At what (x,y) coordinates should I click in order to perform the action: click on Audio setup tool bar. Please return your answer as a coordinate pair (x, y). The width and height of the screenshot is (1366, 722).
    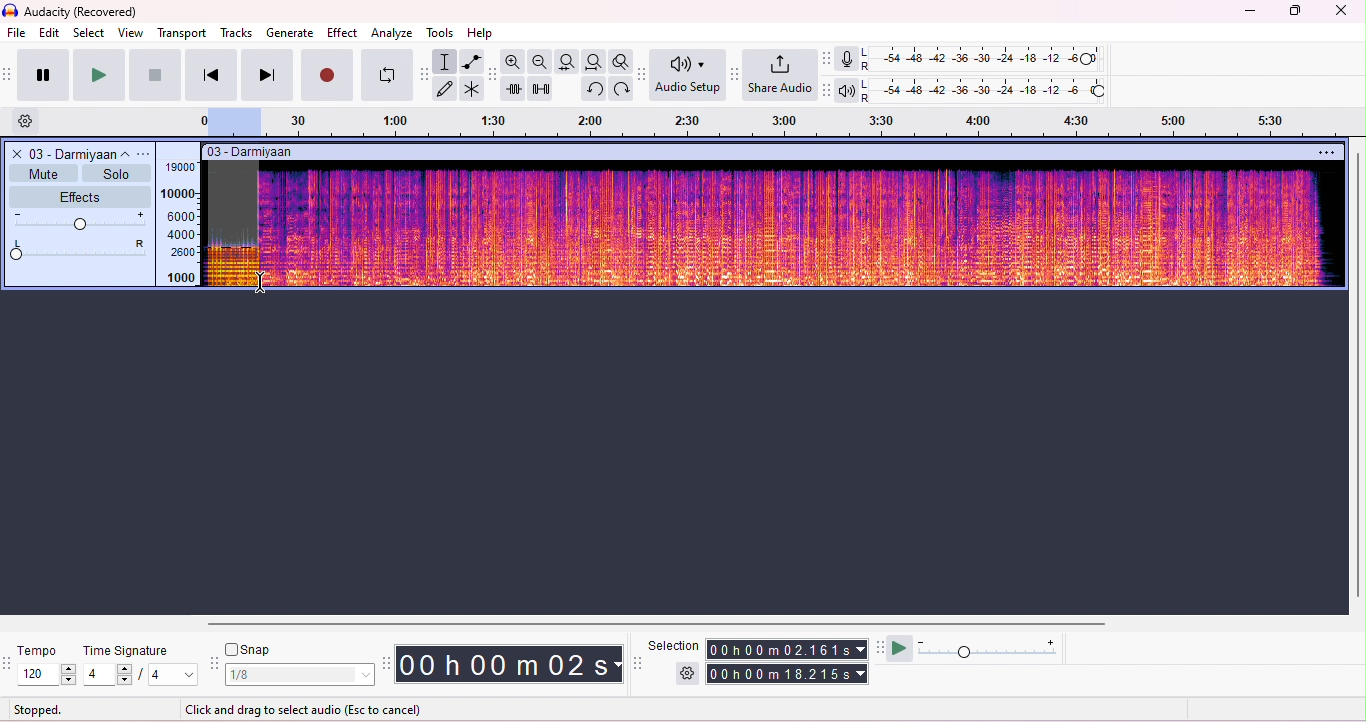
    Looking at the image, I should click on (643, 75).